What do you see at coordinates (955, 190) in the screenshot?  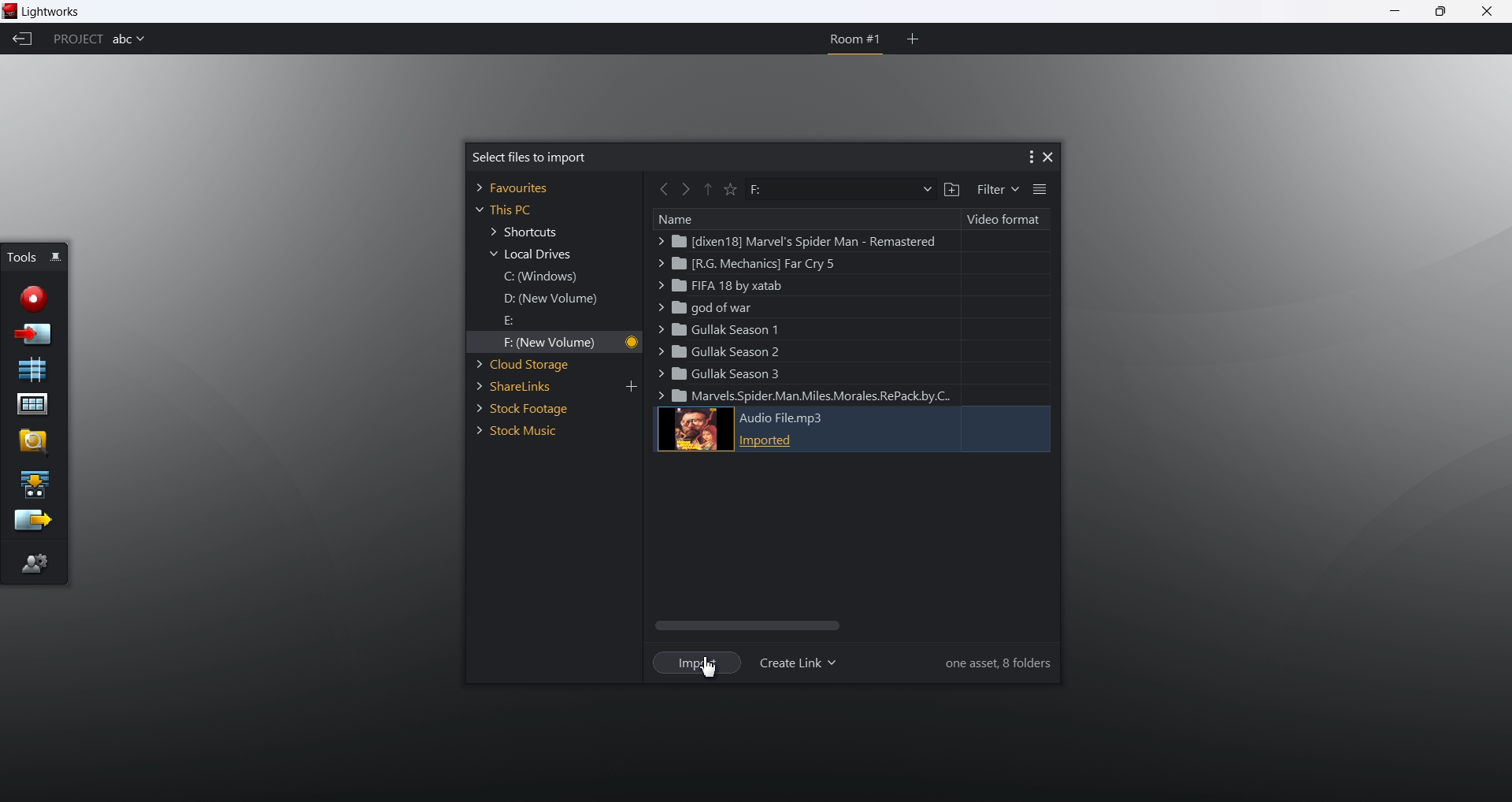 I see `add a folder` at bounding box center [955, 190].